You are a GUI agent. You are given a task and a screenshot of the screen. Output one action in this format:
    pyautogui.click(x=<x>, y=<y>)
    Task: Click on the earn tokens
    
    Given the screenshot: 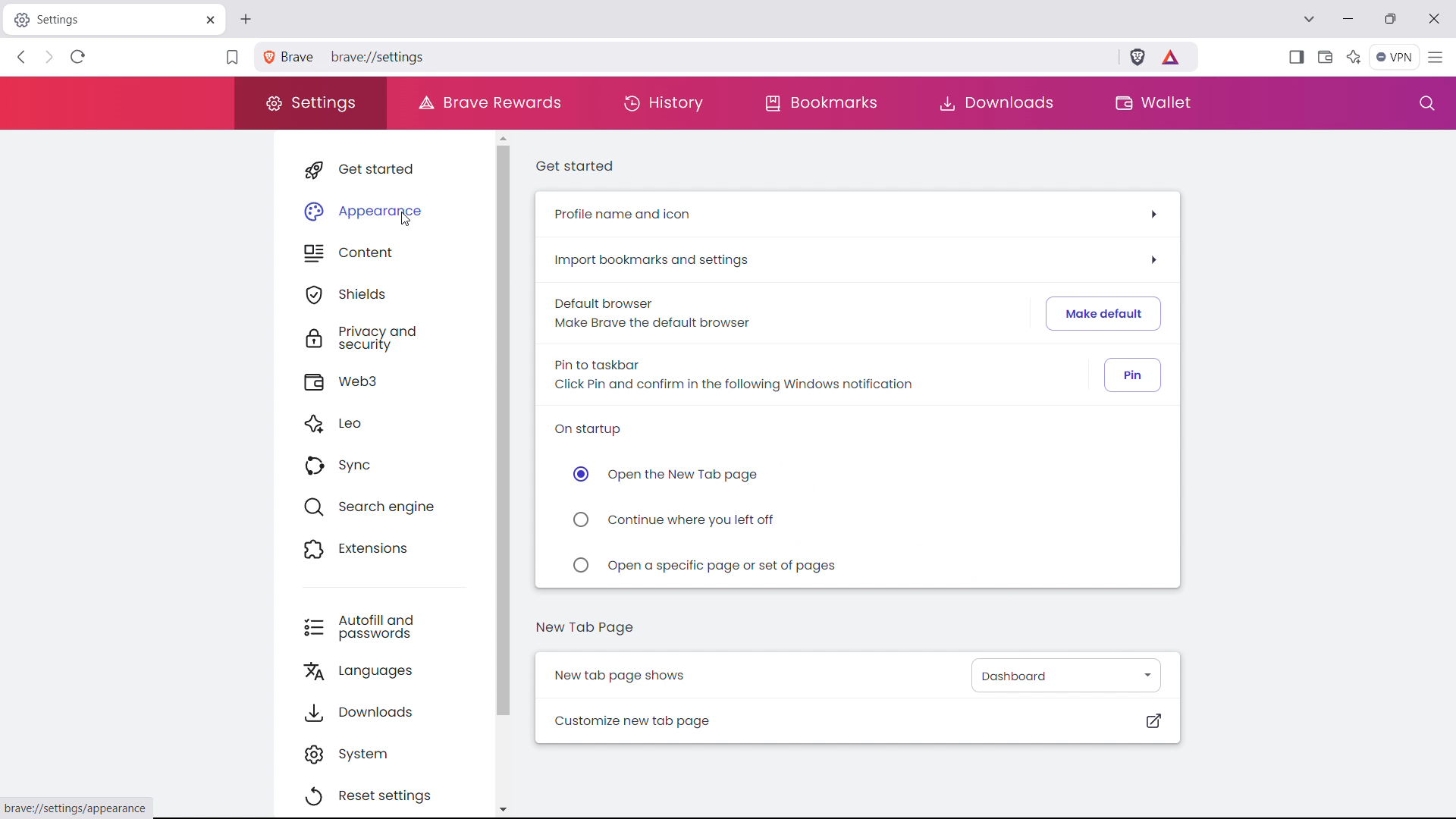 What is the action you would take?
    pyautogui.click(x=1172, y=58)
    